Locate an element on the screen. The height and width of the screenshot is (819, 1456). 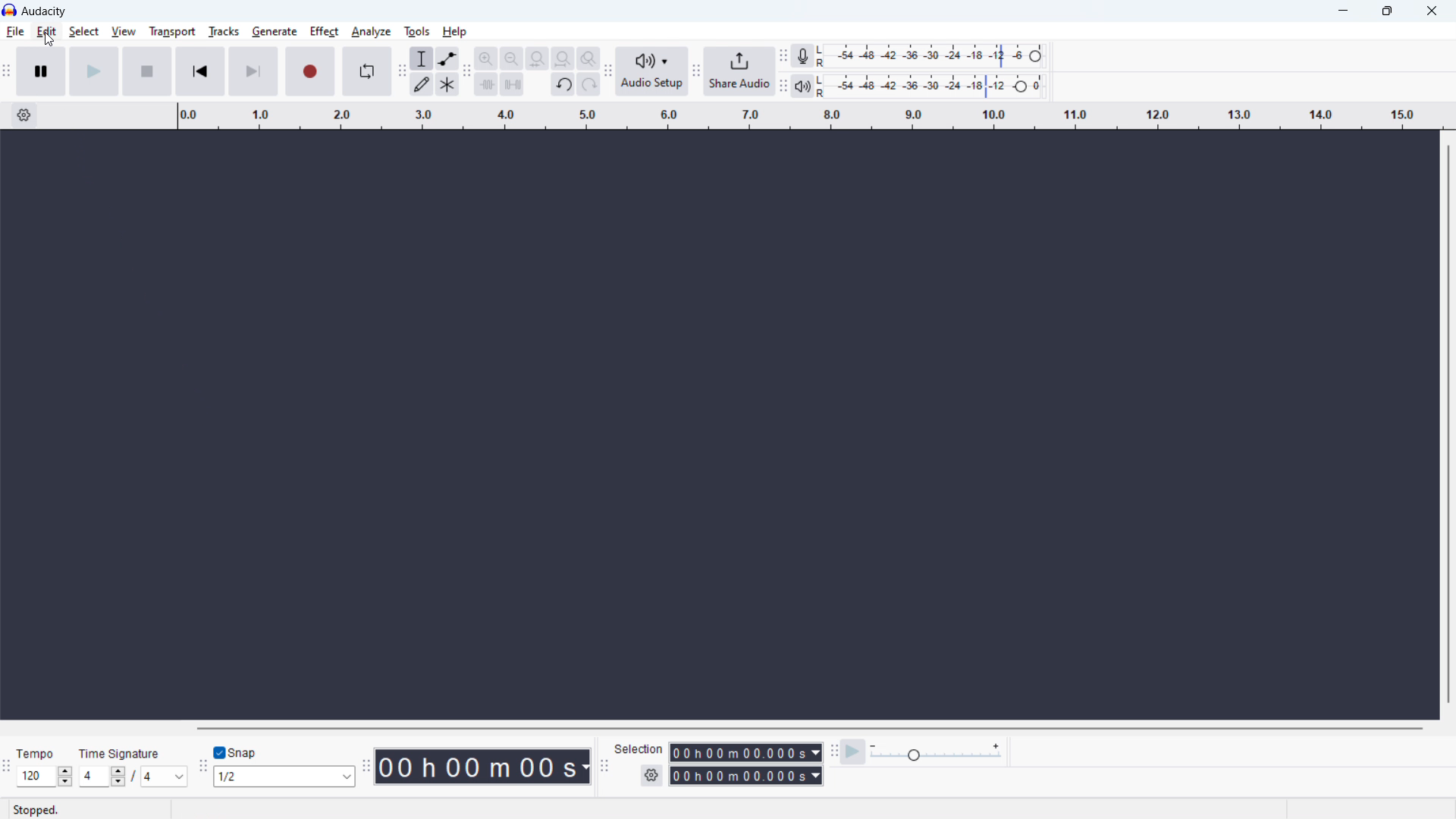
file is located at coordinates (16, 31).